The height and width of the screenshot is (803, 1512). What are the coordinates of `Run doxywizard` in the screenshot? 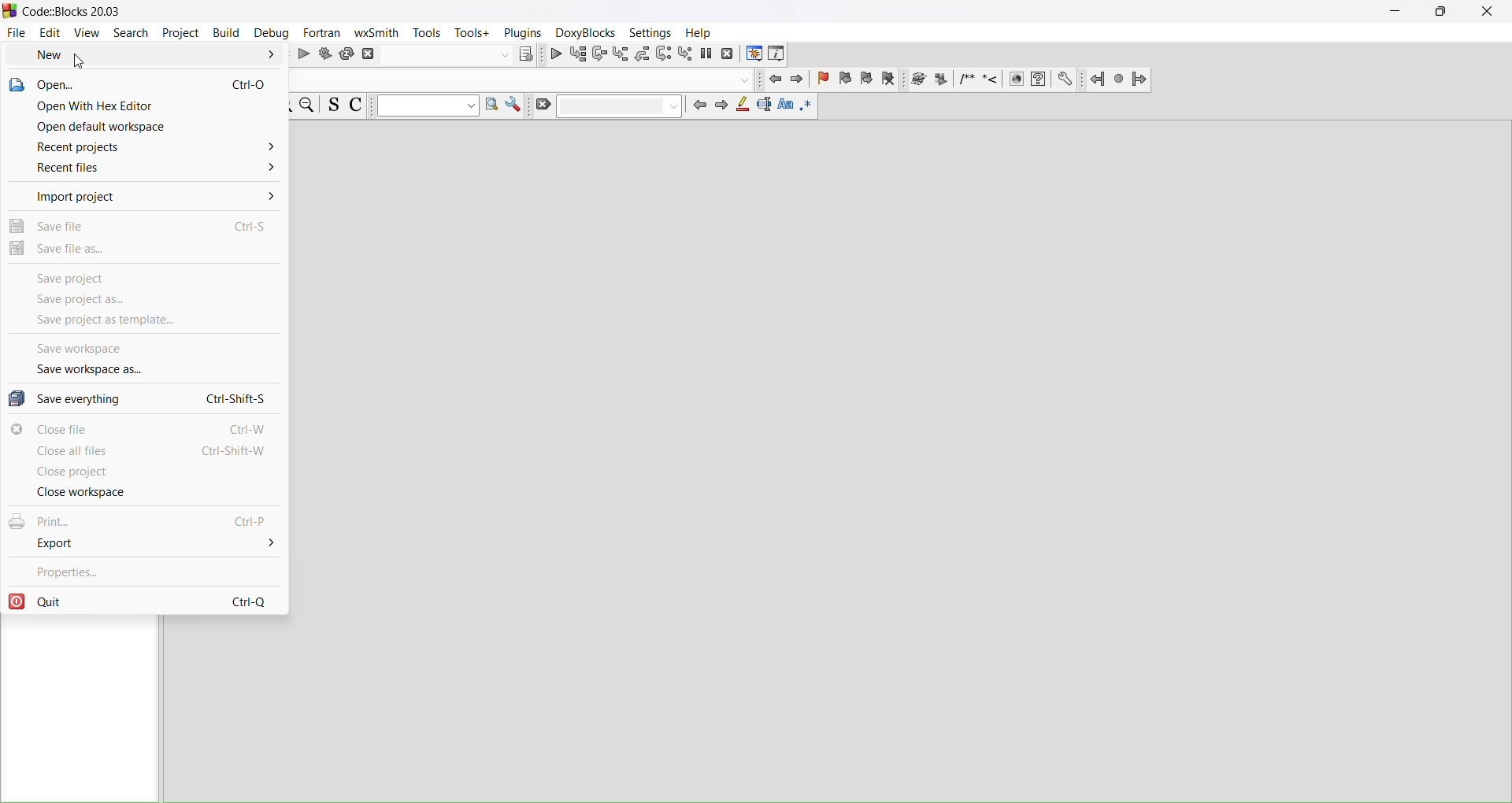 It's located at (917, 80).